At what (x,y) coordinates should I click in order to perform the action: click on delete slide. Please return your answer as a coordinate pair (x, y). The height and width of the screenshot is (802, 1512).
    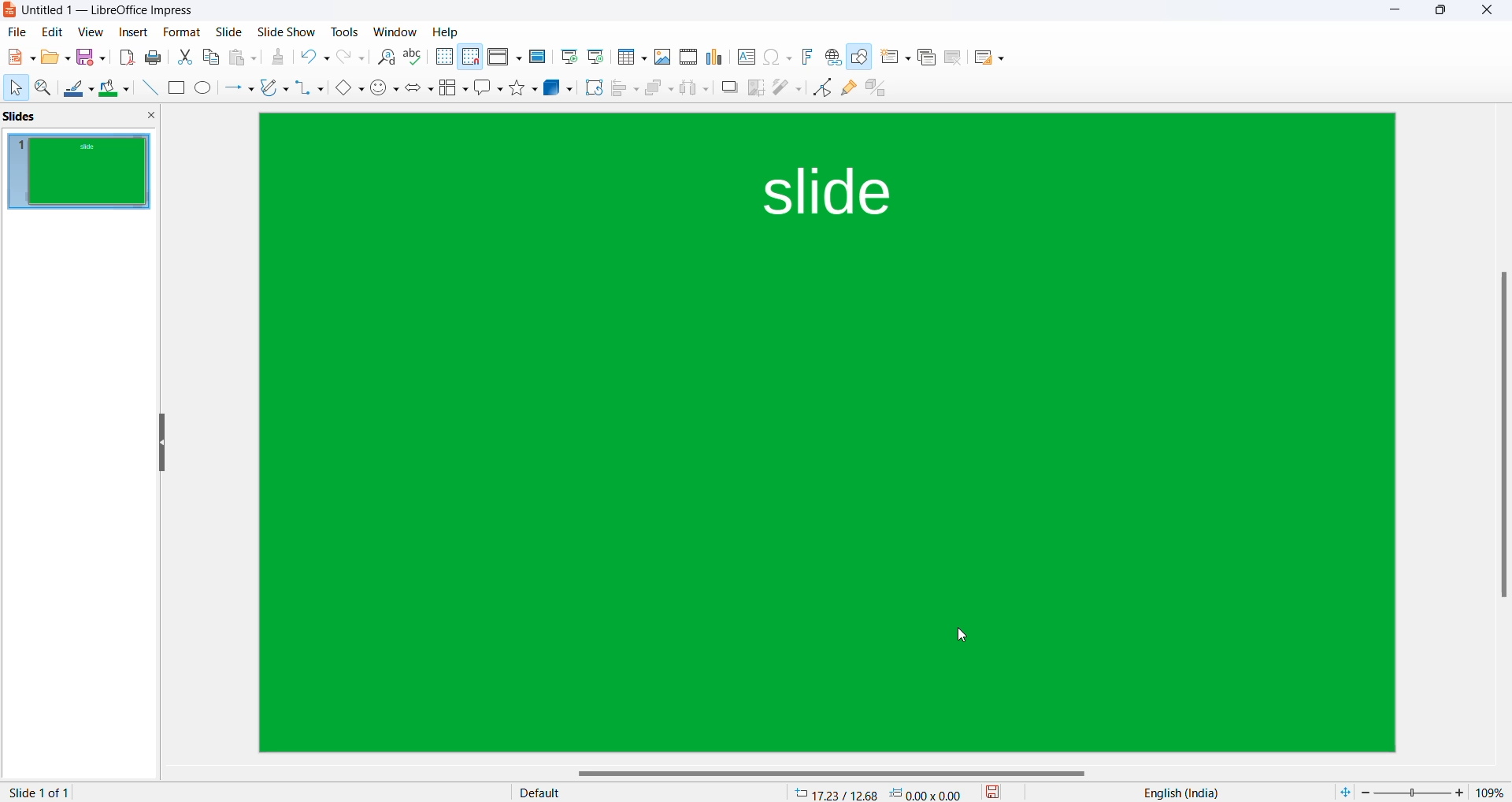
    Looking at the image, I should click on (953, 61).